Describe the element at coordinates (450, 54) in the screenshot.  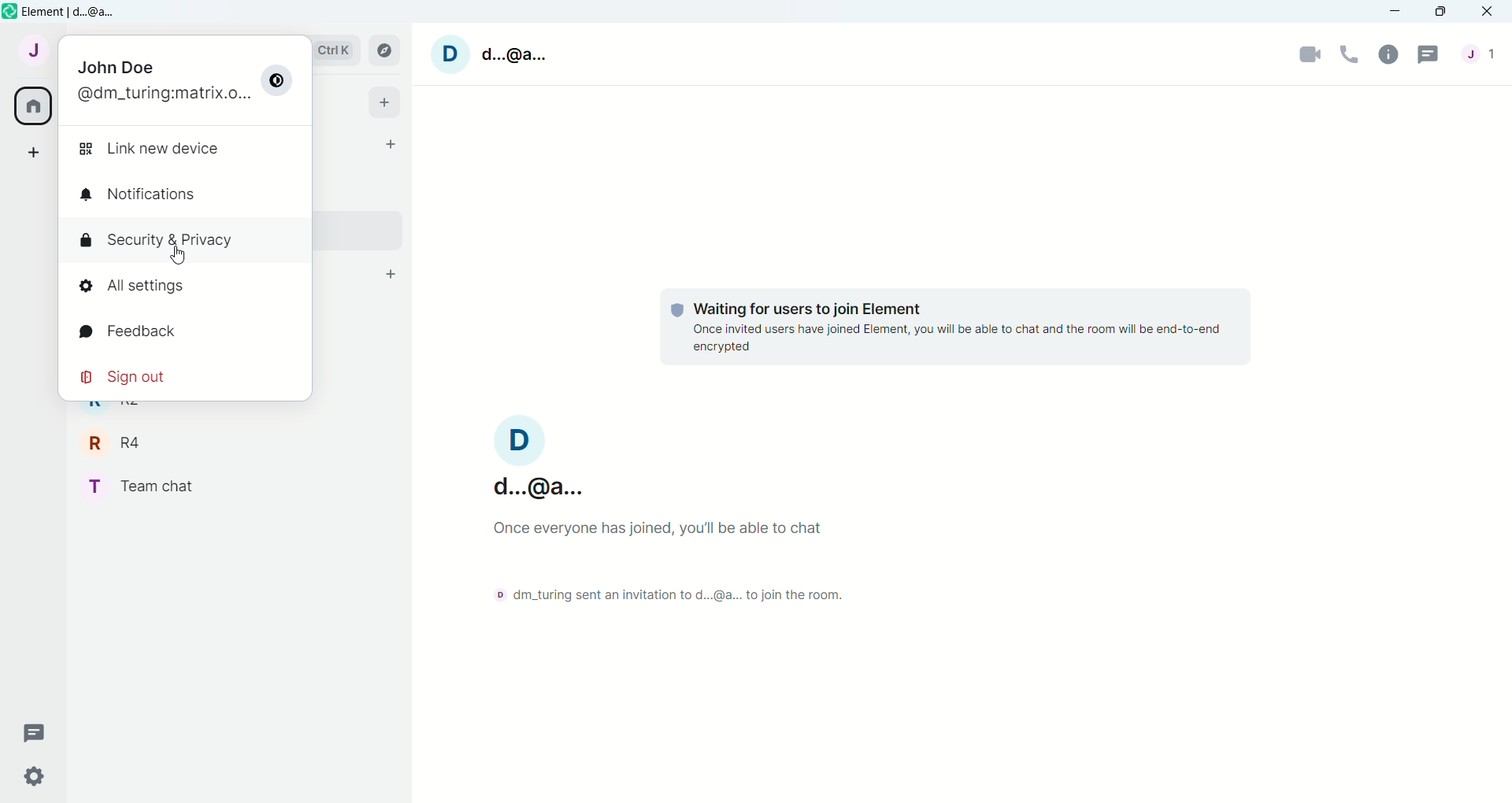
I see `D` at that location.